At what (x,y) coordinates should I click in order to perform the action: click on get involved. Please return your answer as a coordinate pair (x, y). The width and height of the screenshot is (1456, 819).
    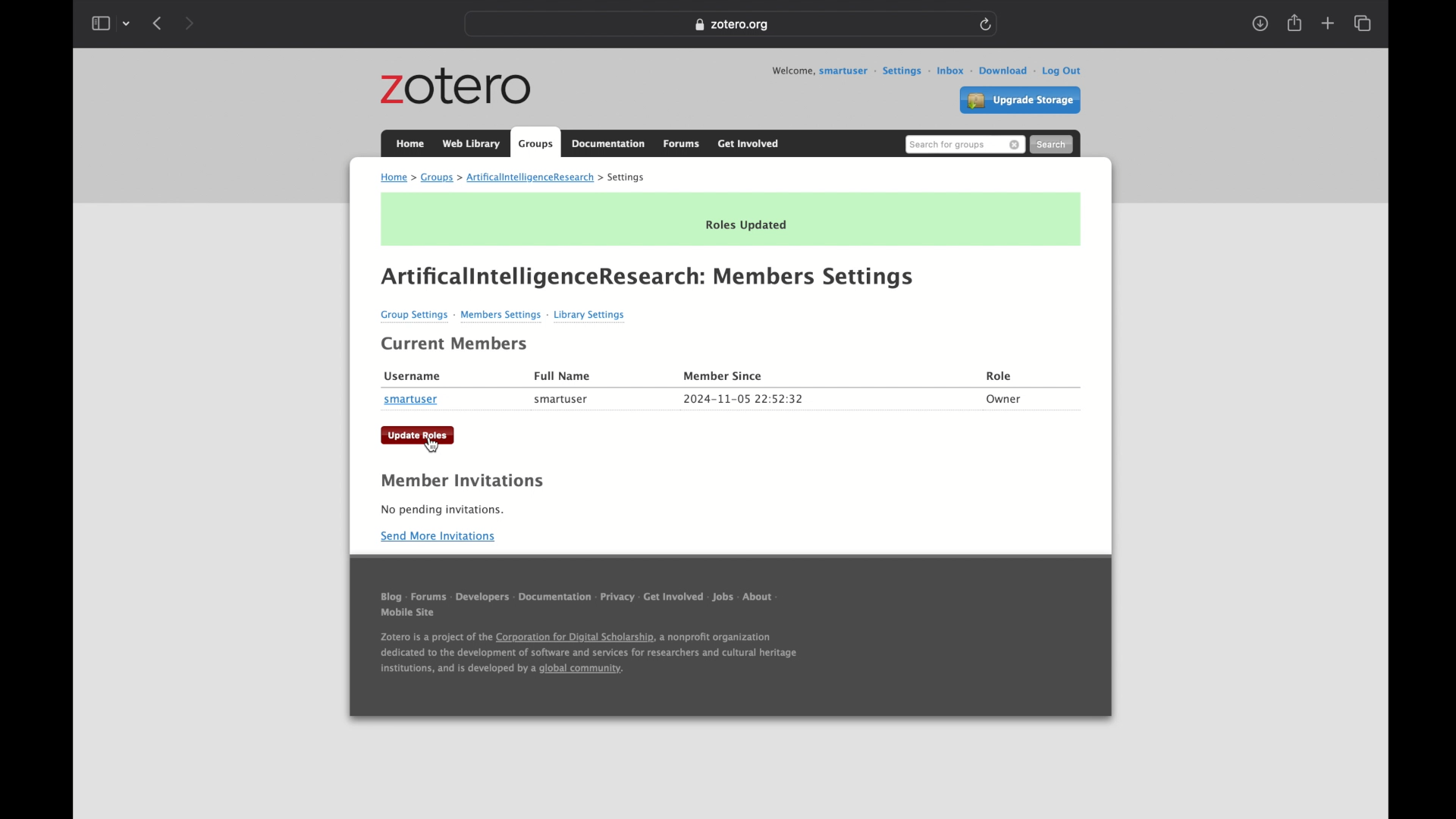
    Looking at the image, I should click on (750, 143).